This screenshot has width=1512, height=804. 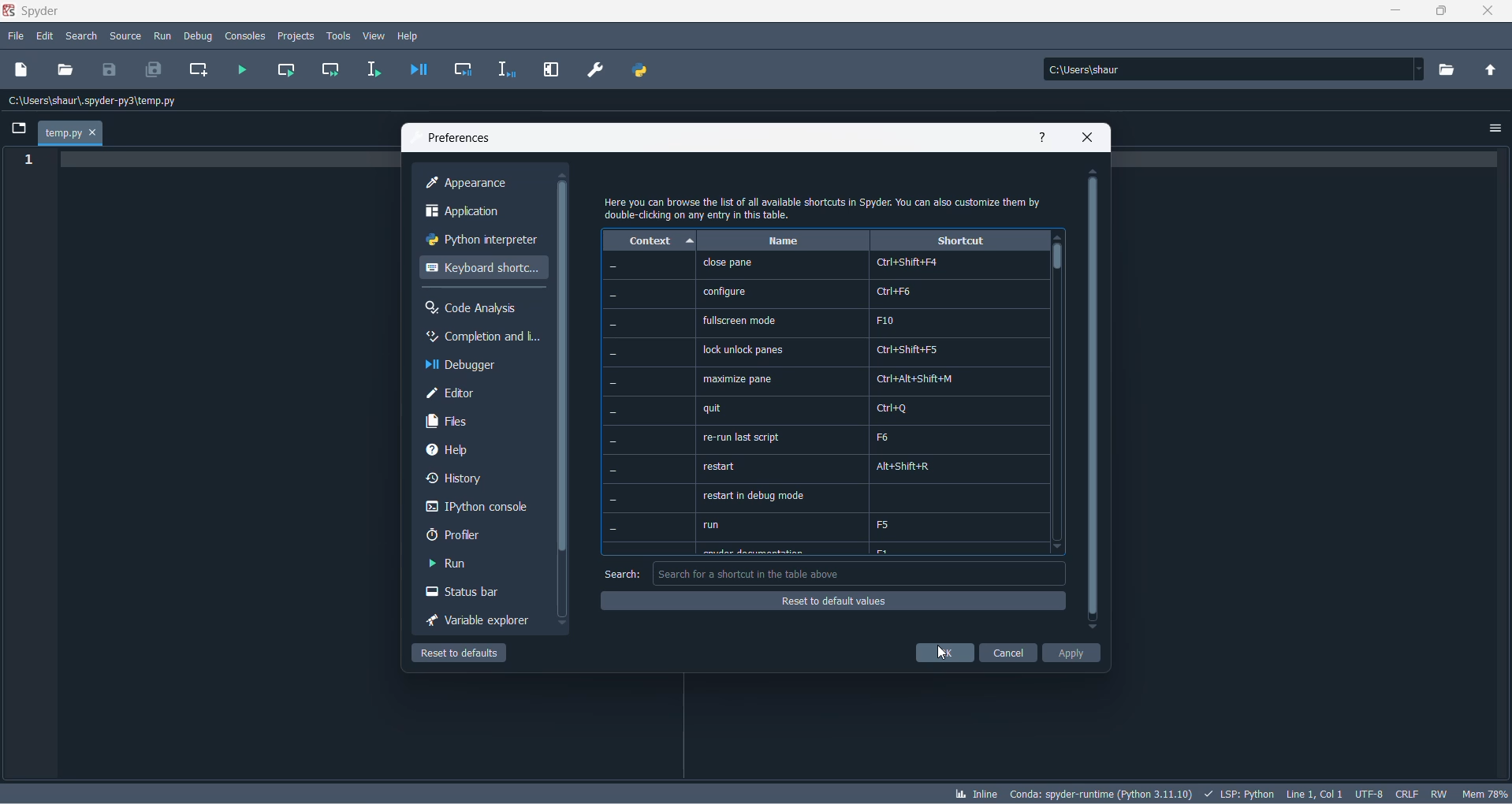 I want to click on PREFERENCES, so click(x=597, y=70).